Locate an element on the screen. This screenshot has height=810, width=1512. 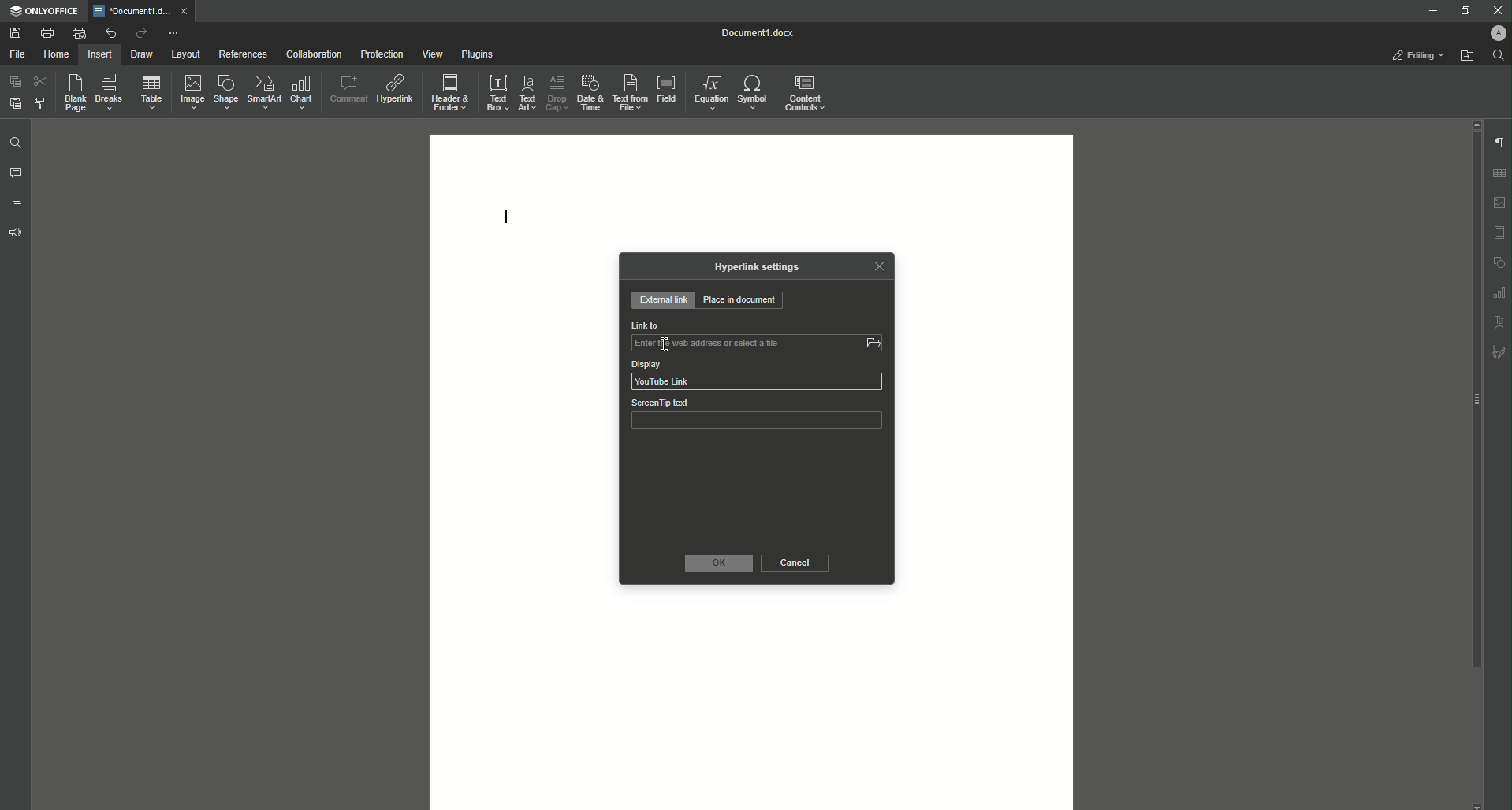
graph settings is located at coordinates (1501, 292).